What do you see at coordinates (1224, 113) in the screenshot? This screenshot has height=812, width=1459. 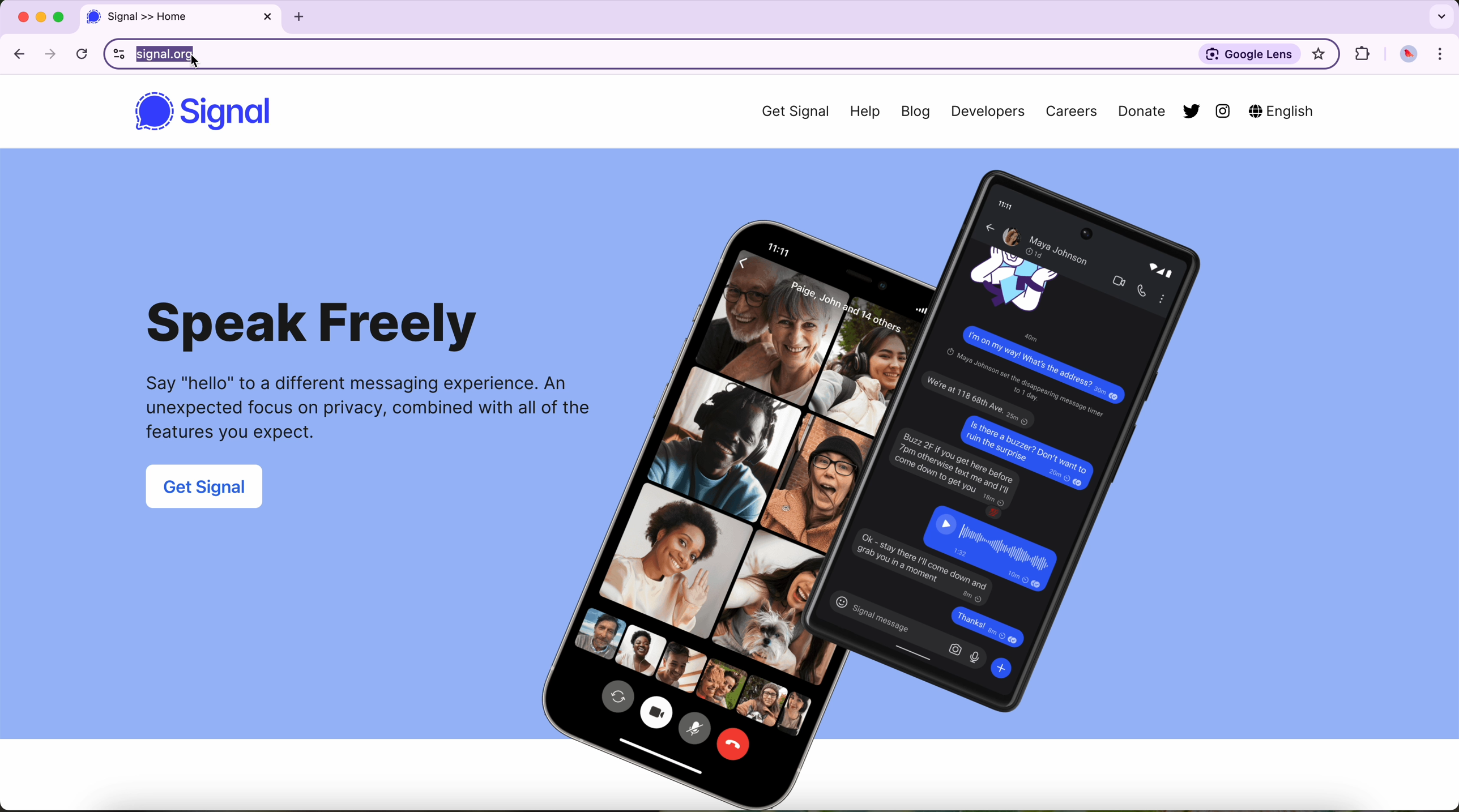 I see `instagram` at bounding box center [1224, 113].